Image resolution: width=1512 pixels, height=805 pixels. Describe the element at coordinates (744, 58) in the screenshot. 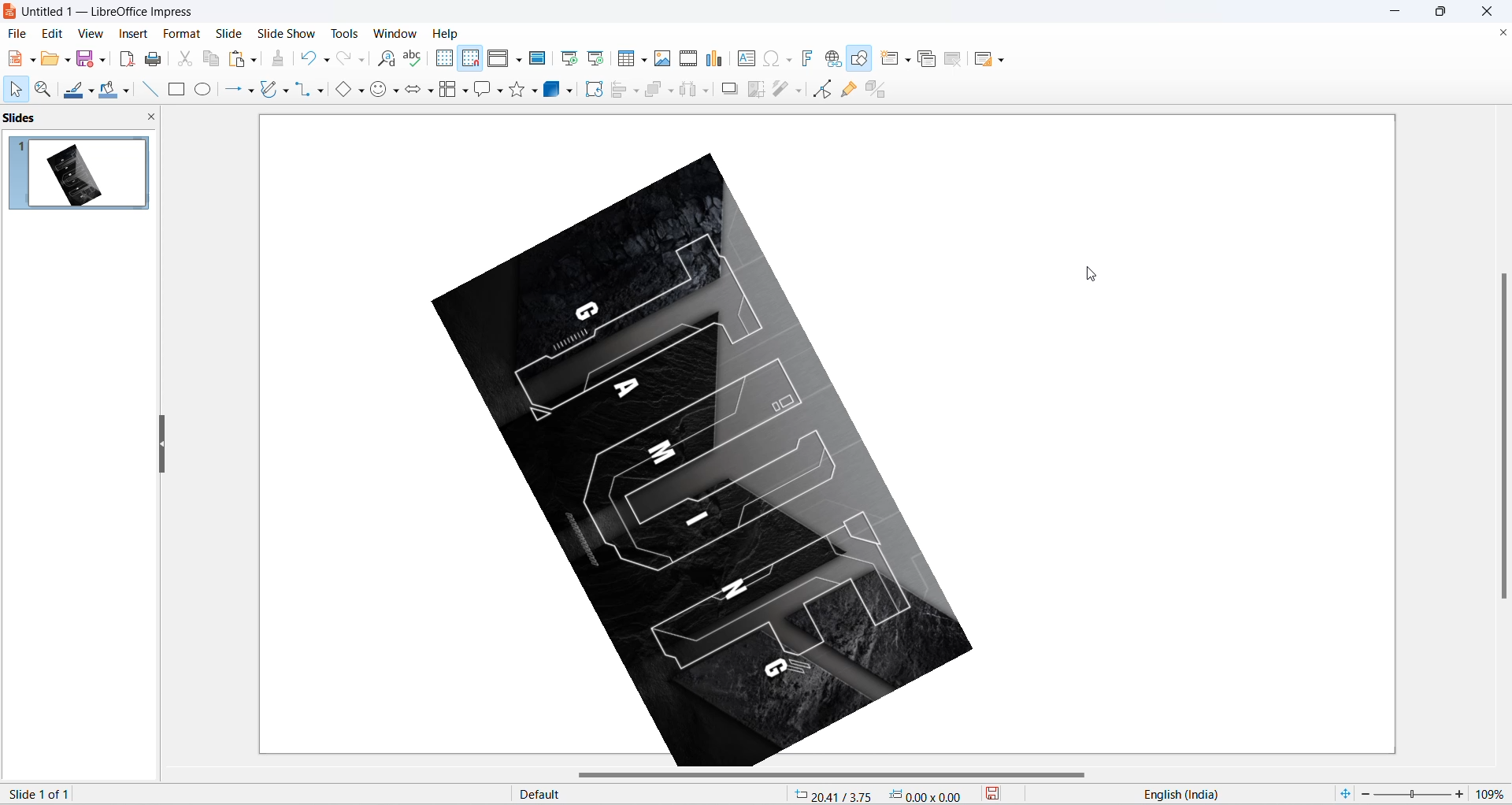

I see `insert text` at that location.